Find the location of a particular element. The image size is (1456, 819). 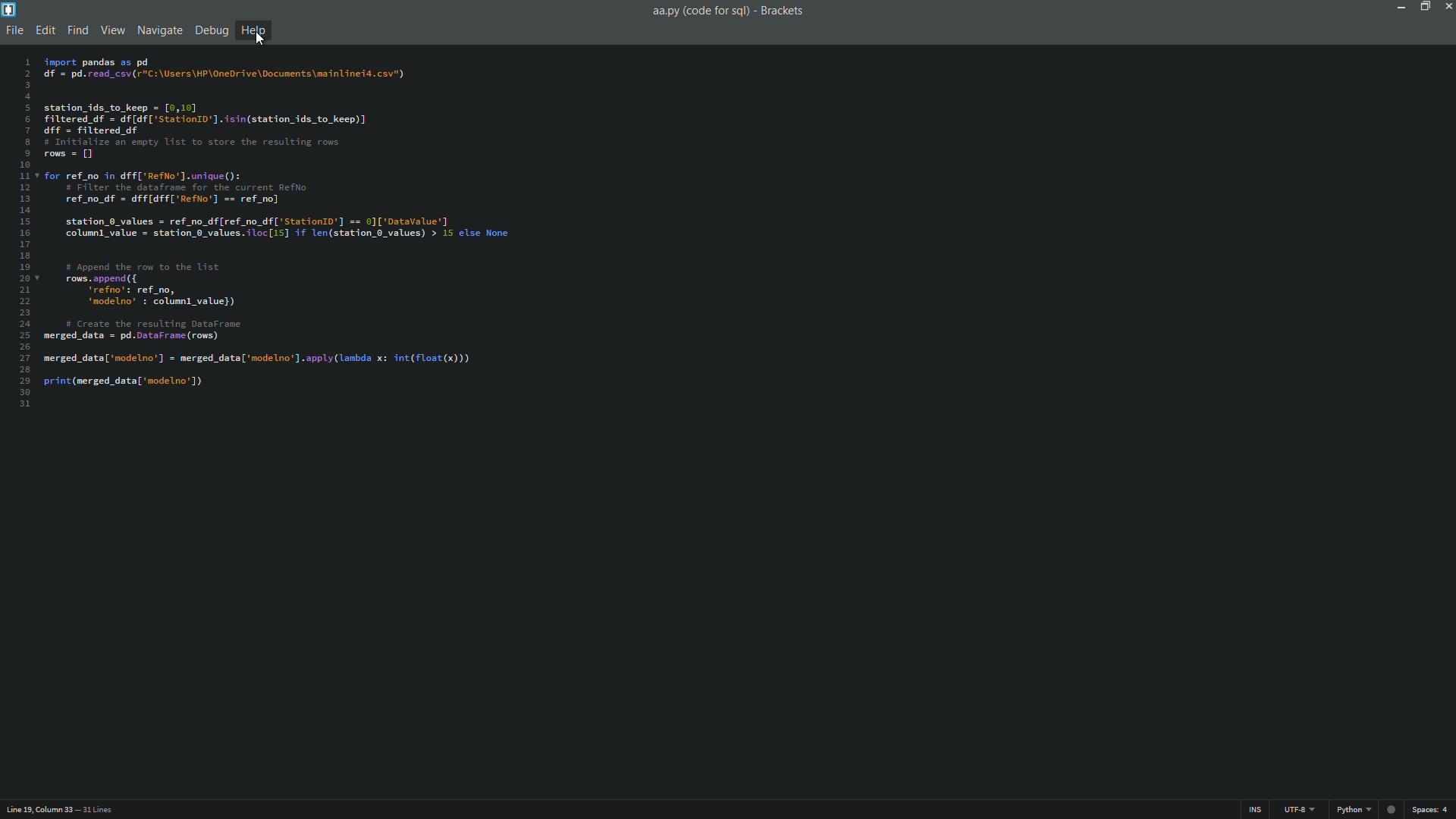

ins is located at coordinates (1257, 810).